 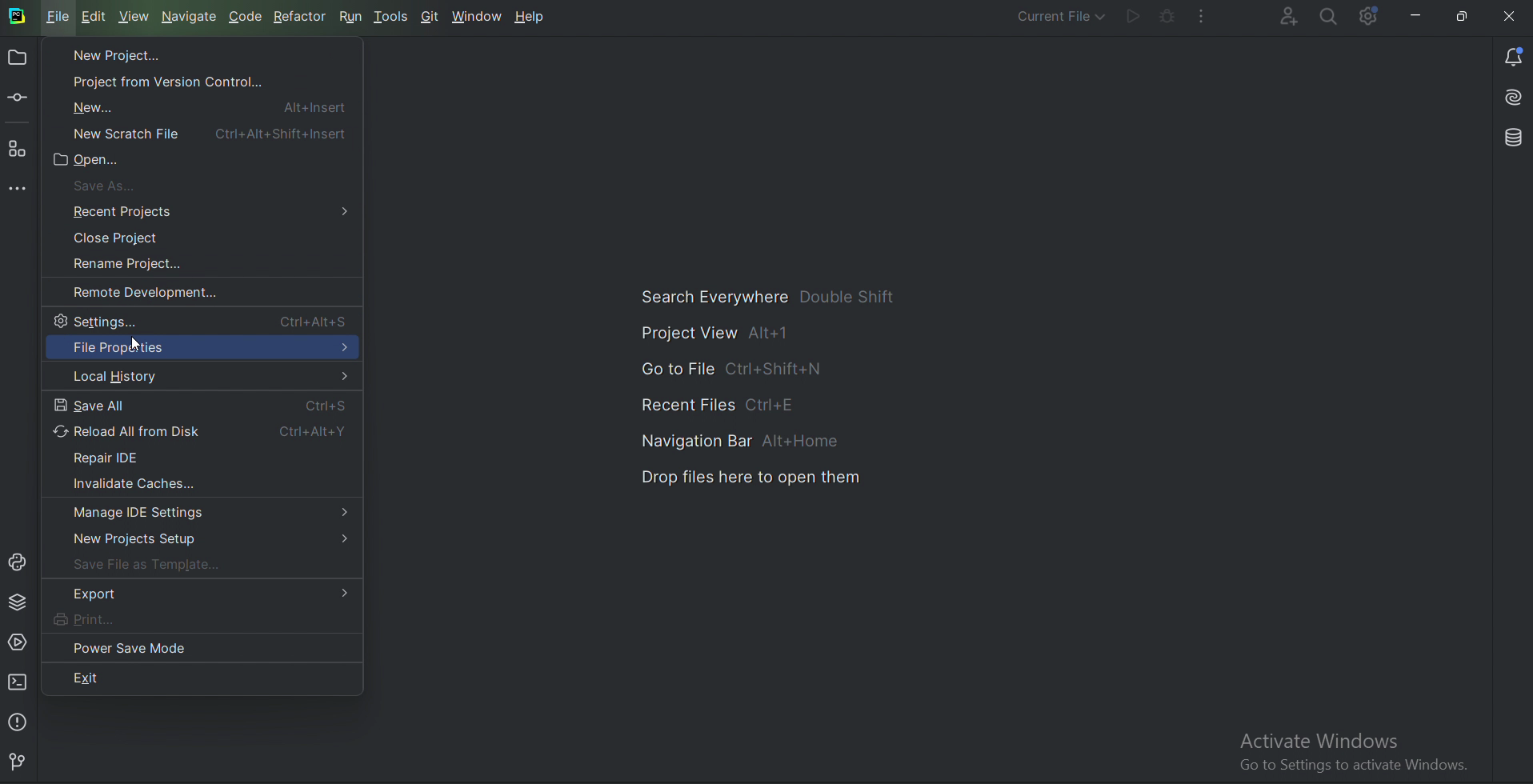 I want to click on Refactor, so click(x=303, y=18).